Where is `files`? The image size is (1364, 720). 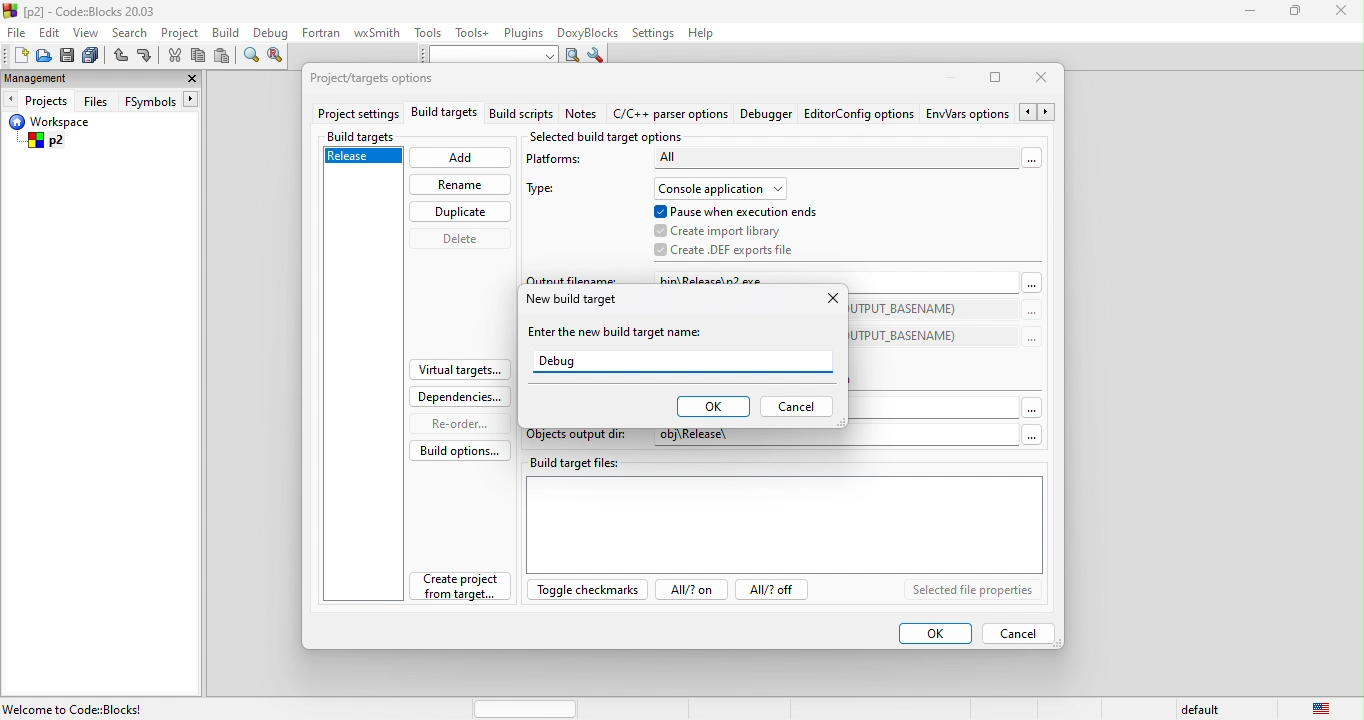
files is located at coordinates (99, 100).